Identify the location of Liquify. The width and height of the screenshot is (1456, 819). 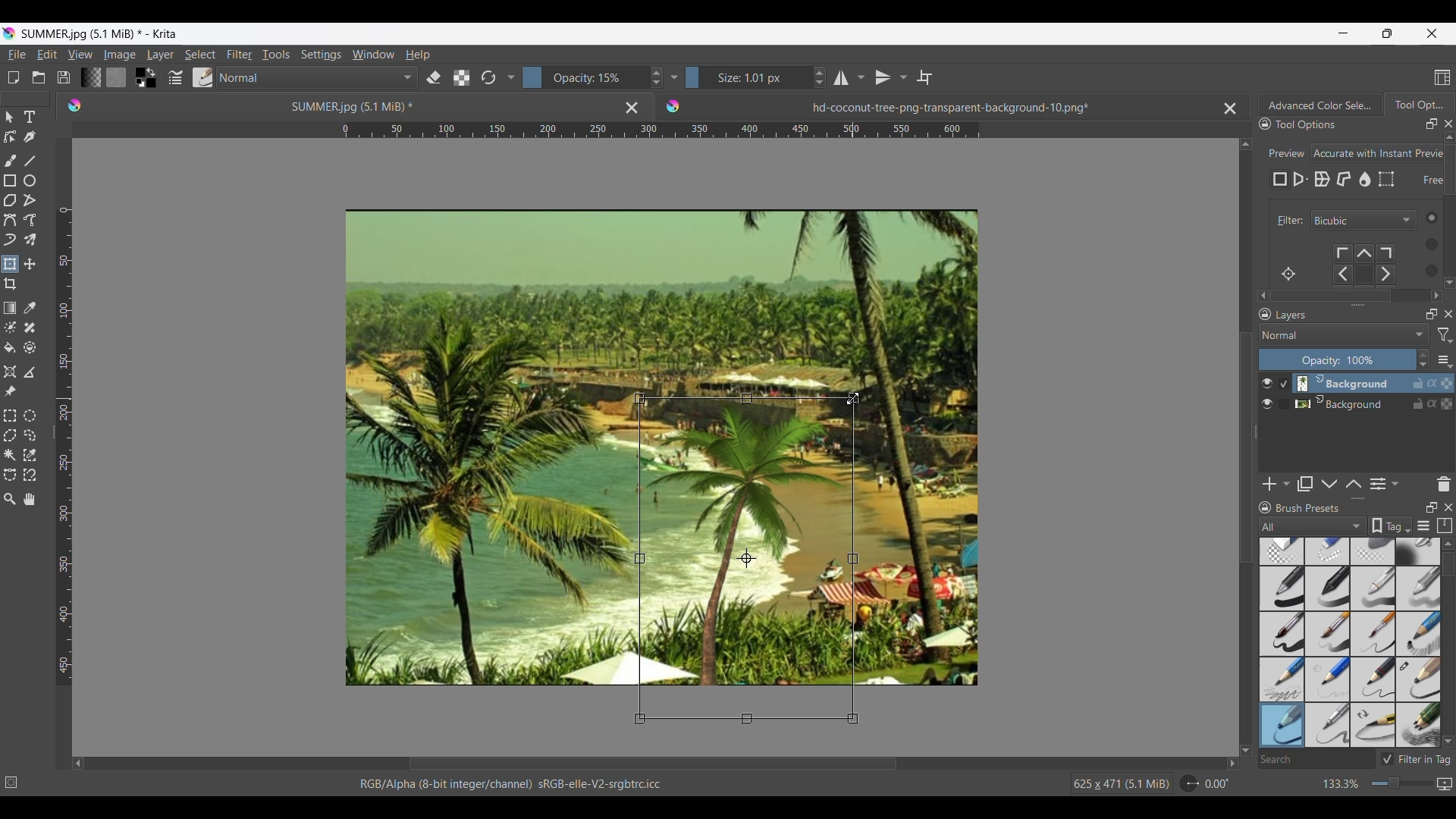
(1366, 179).